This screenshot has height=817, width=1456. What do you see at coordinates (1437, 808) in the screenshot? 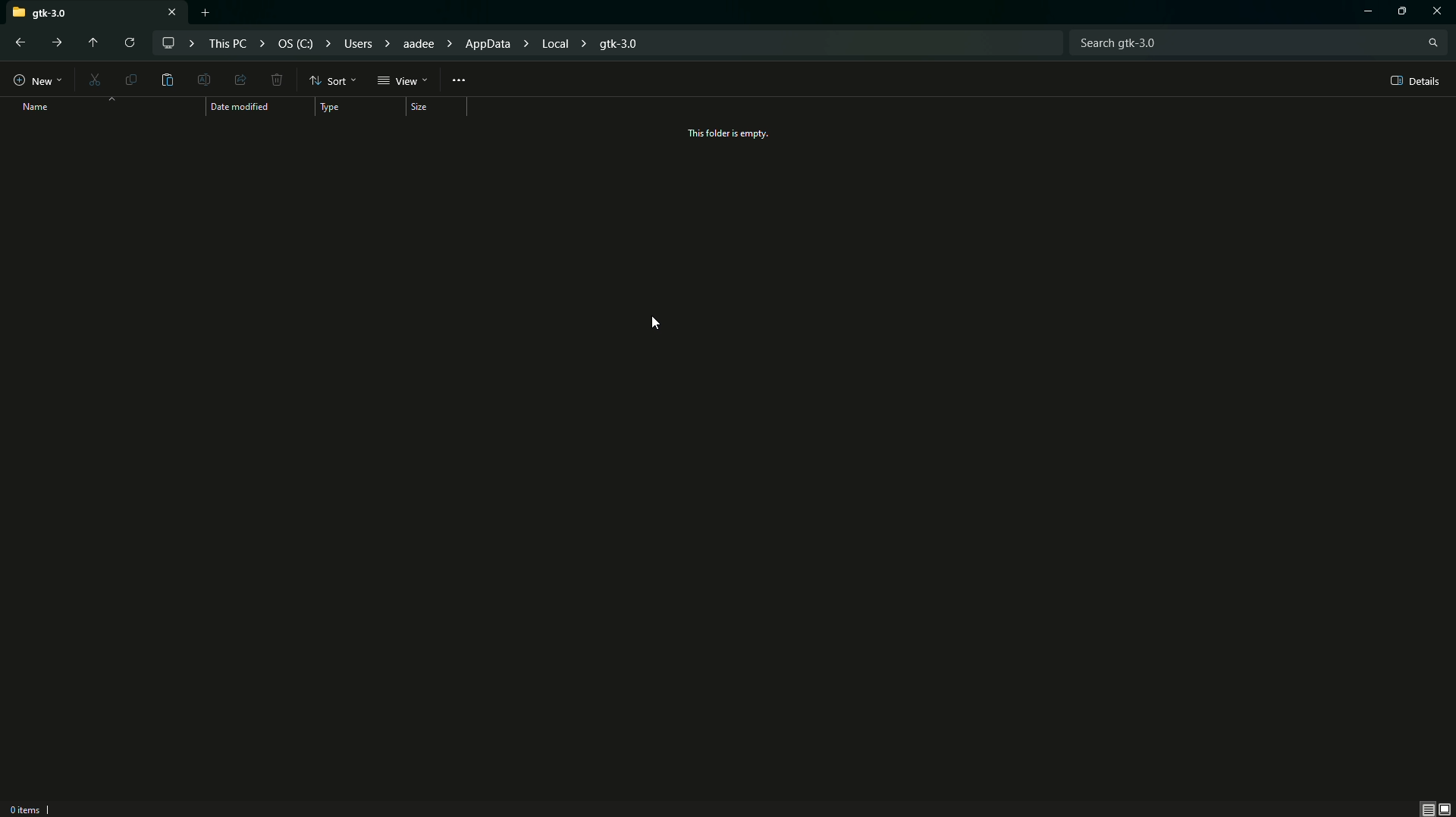
I see `Thumbnail view` at bounding box center [1437, 808].